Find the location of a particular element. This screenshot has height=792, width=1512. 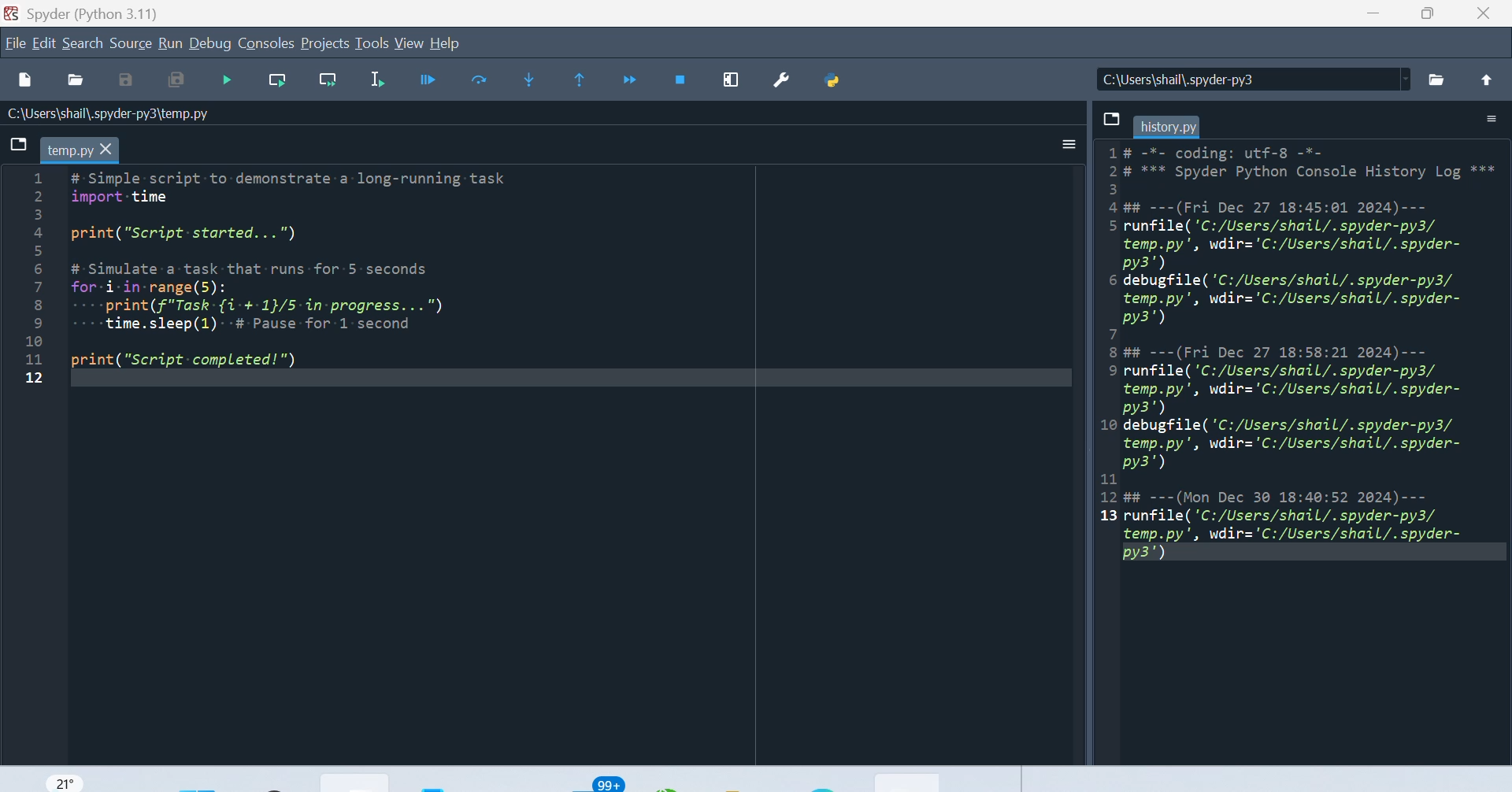

Line numbers is located at coordinates (23, 286).